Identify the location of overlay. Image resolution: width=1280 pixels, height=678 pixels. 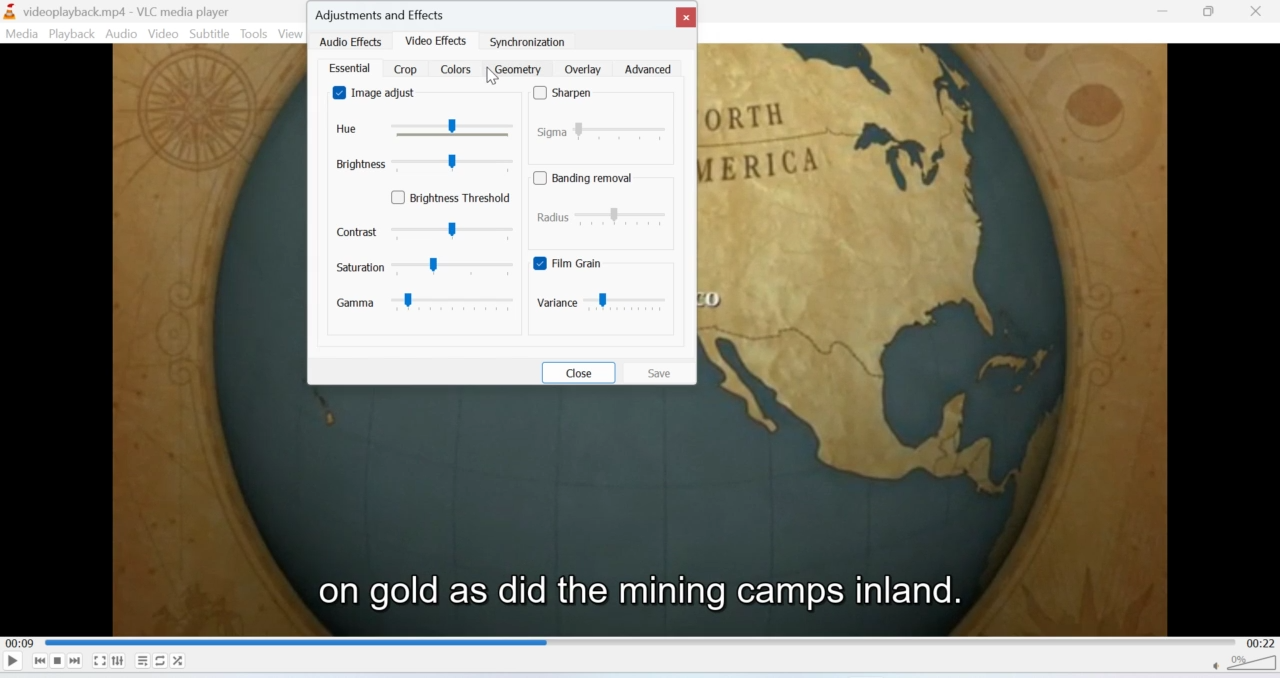
(580, 69).